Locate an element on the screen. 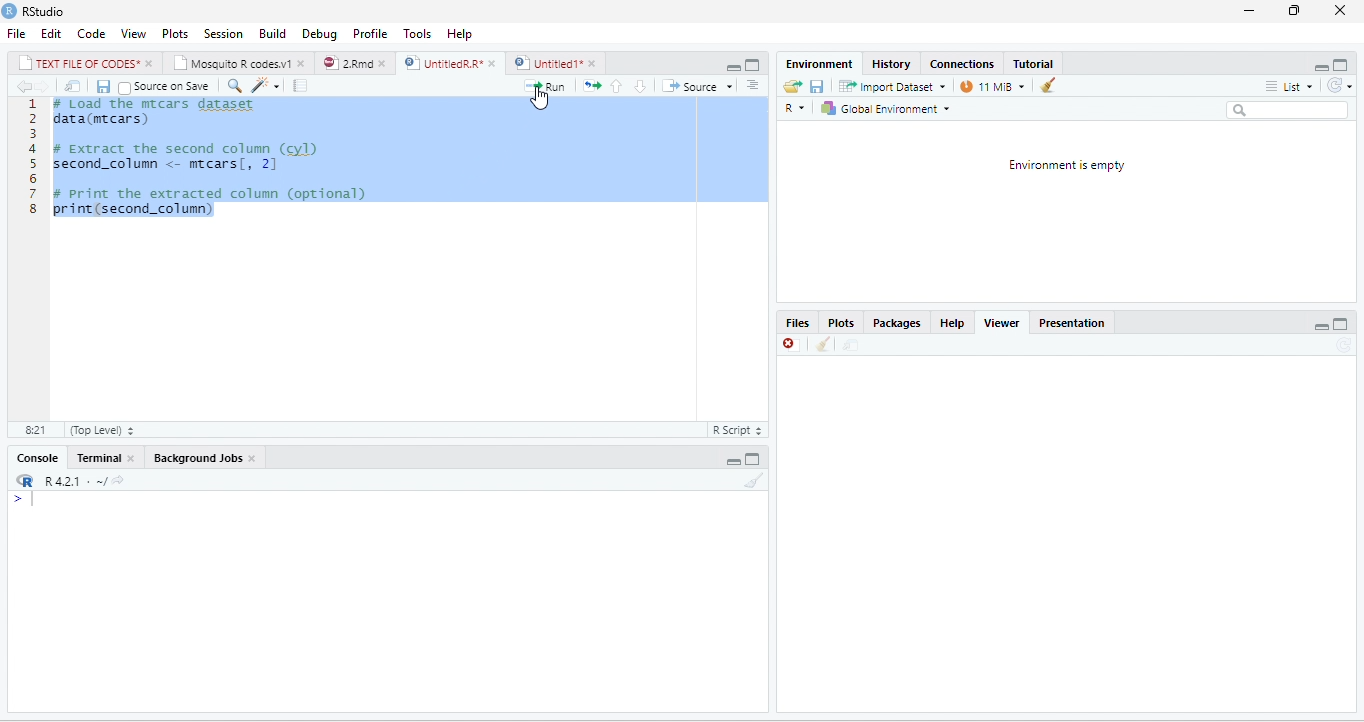 The height and width of the screenshot is (722, 1364).  is located at coordinates (268, 32).